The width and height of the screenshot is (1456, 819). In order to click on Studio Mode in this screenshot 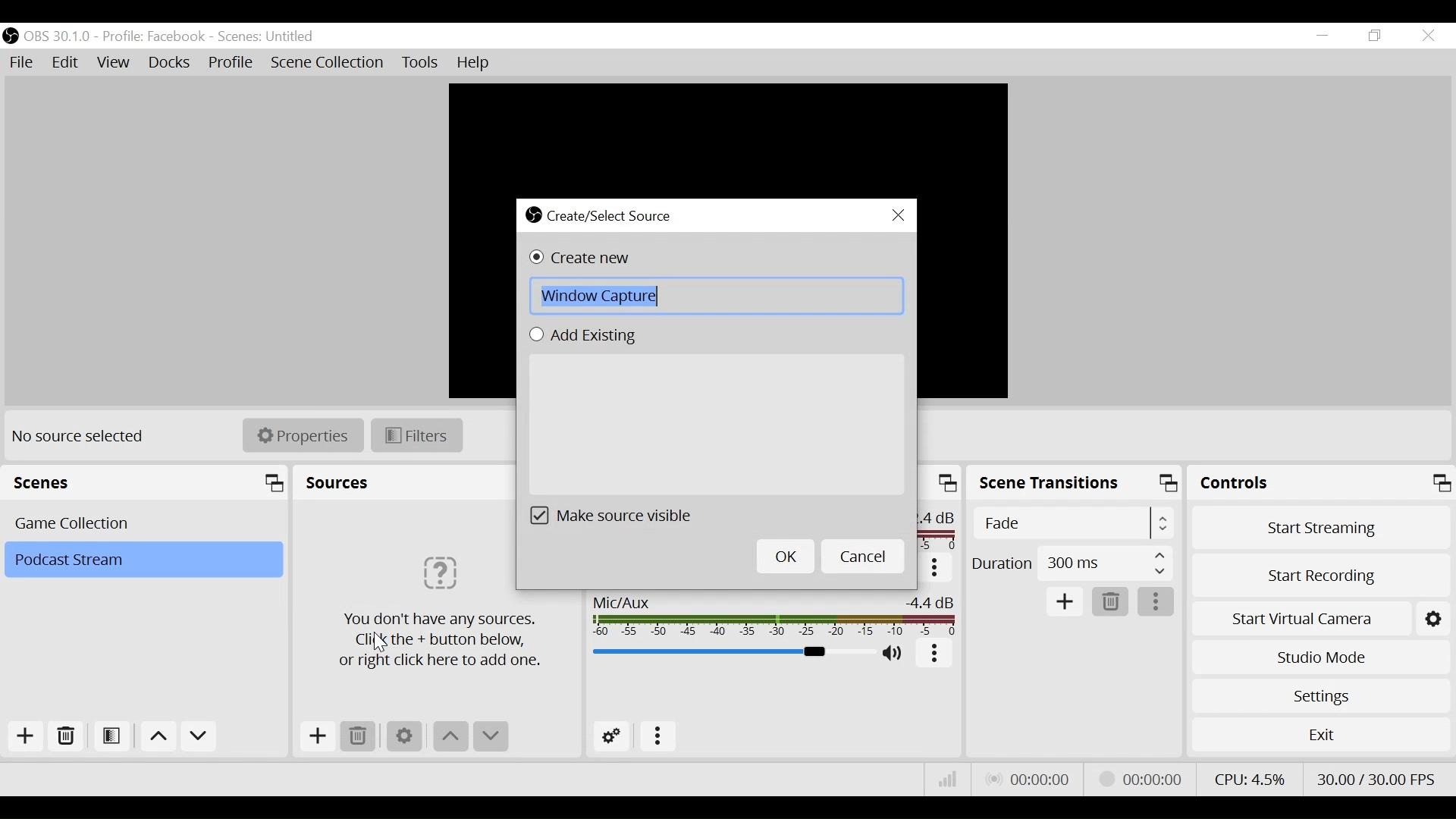, I will do `click(1318, 655)`.